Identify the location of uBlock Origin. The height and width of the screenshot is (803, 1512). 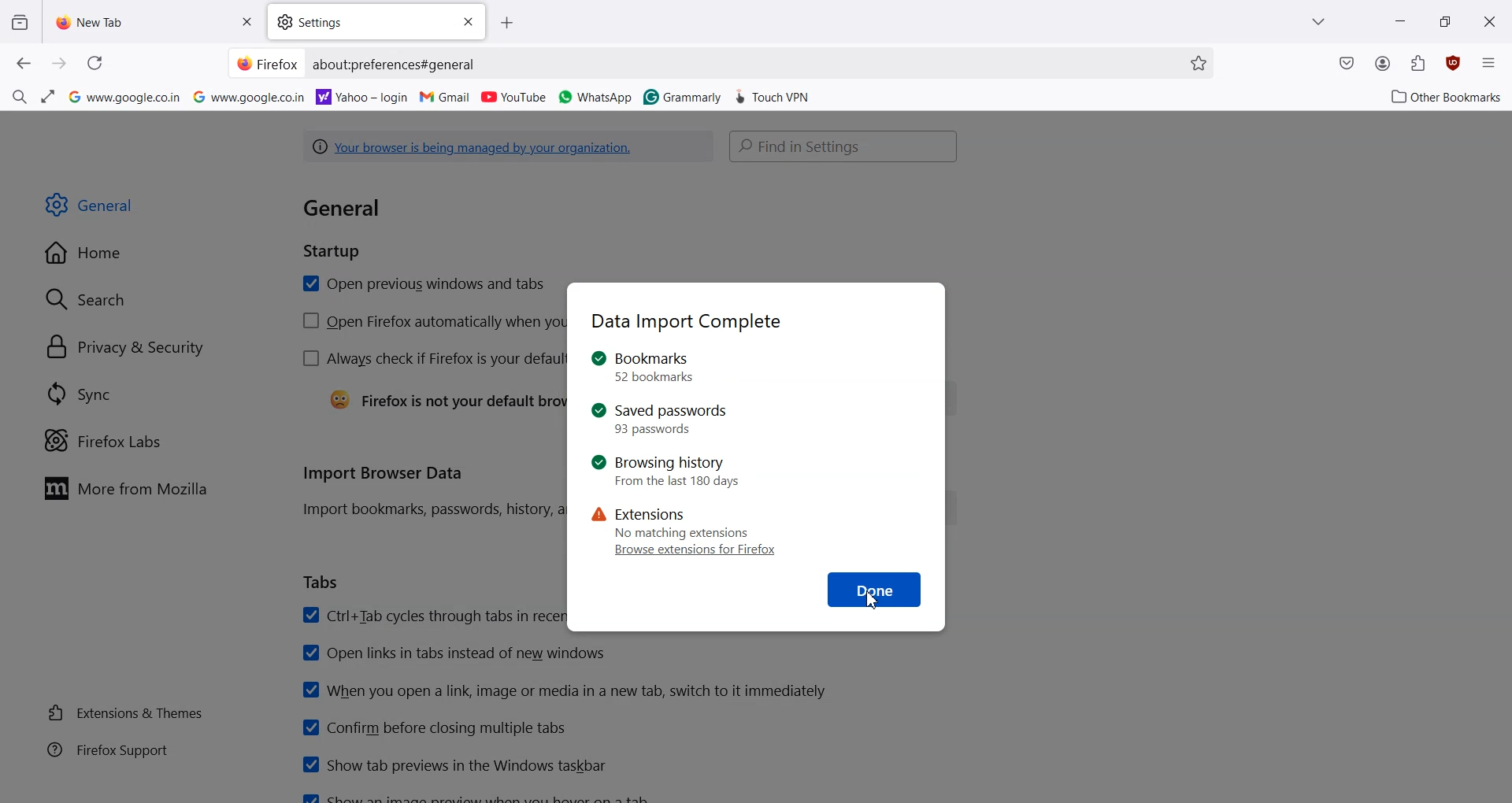
(1452, 63).